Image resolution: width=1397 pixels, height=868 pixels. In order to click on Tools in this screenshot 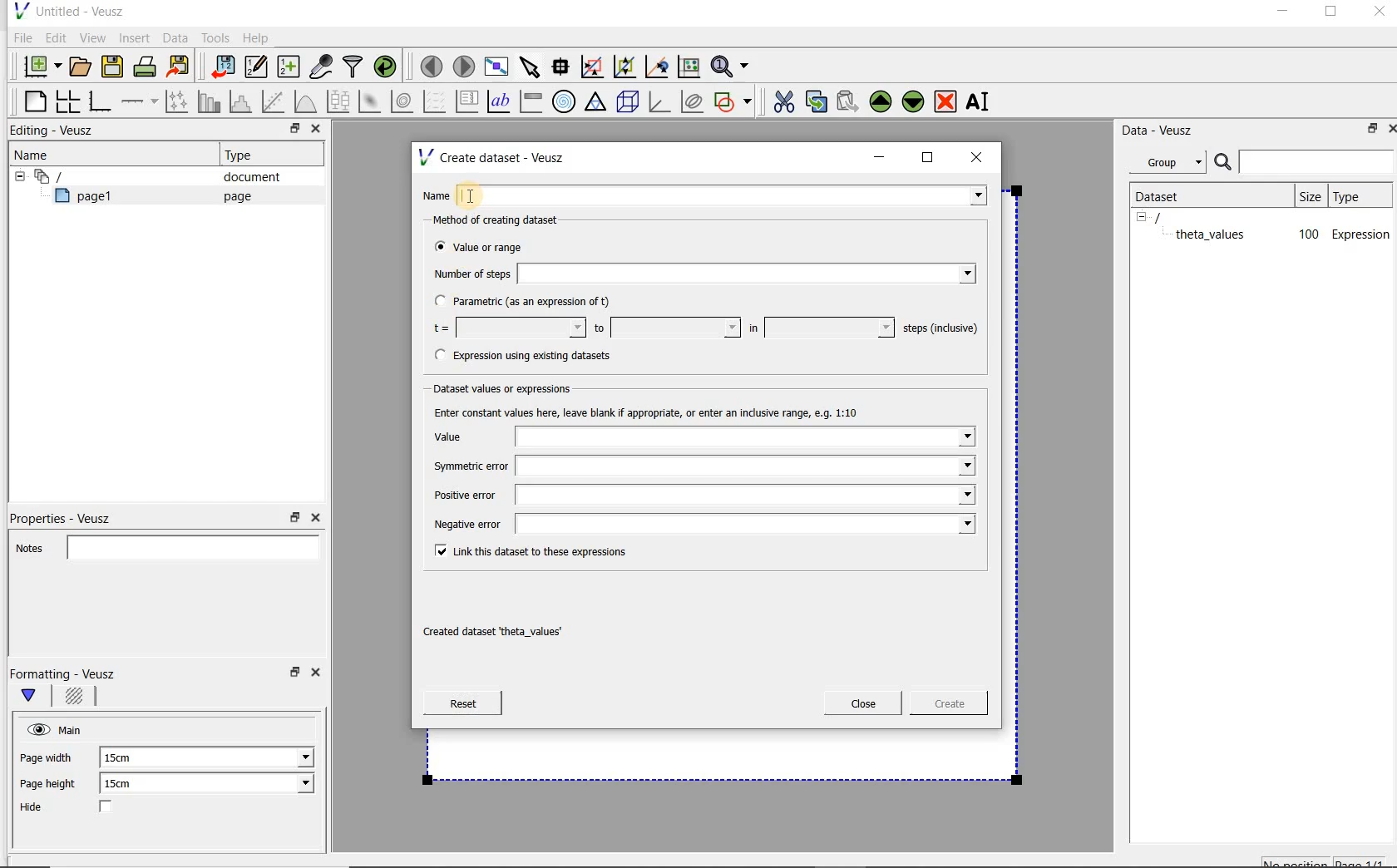, I will do `click(214, 38)`.